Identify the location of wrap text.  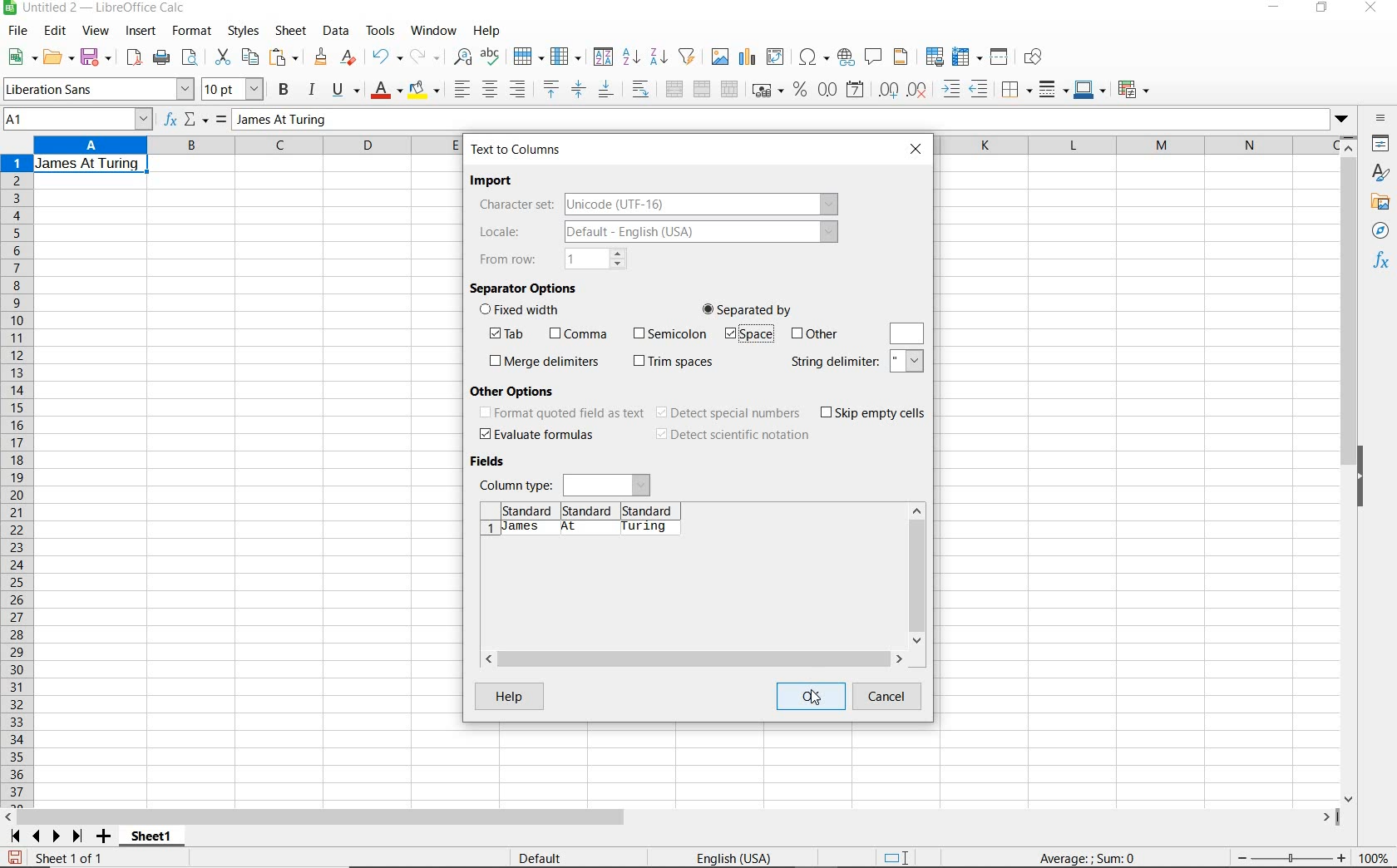
(640, 91).